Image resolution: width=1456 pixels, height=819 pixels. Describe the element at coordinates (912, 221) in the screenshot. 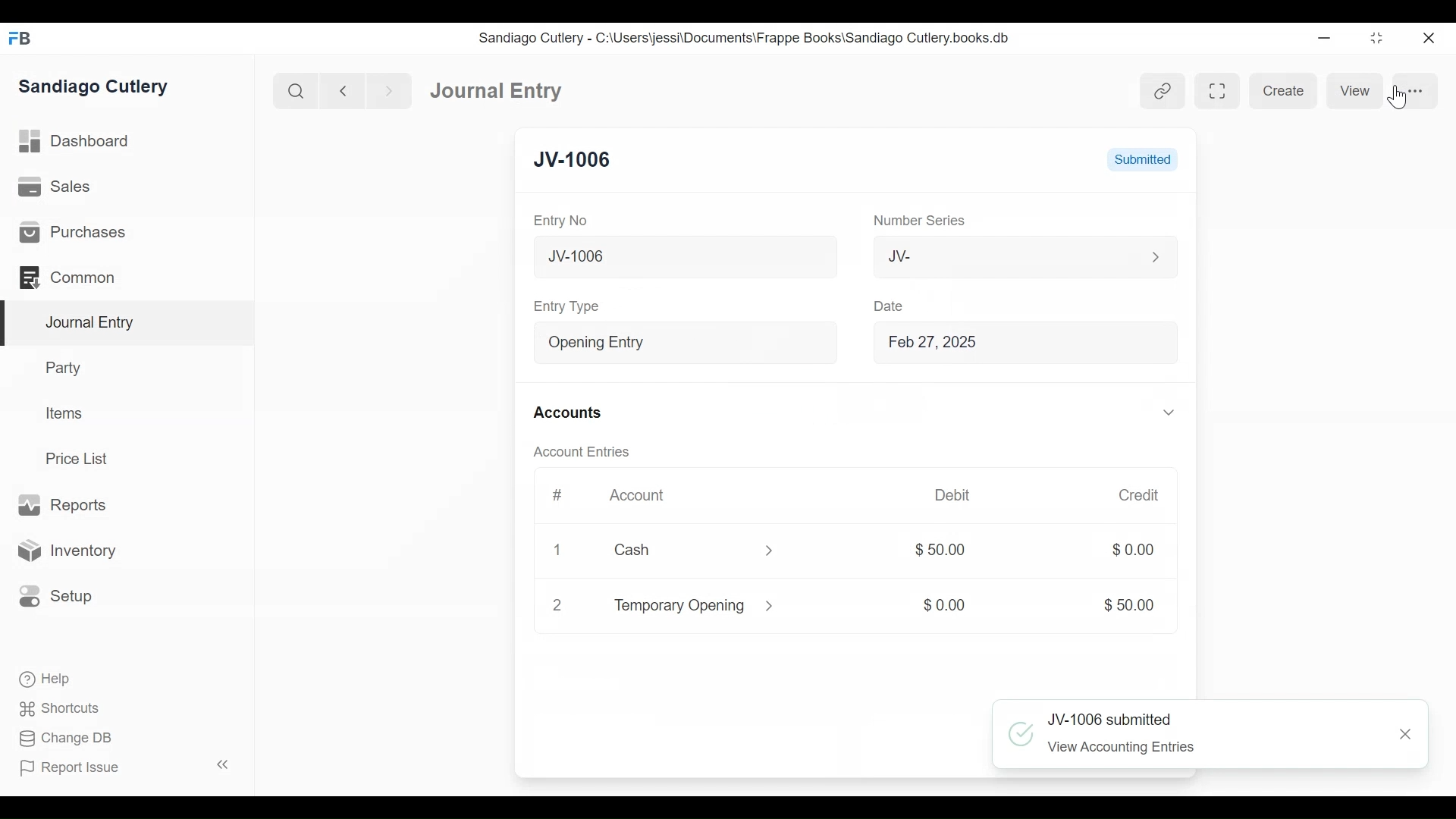

I see `Number Series` at that location.